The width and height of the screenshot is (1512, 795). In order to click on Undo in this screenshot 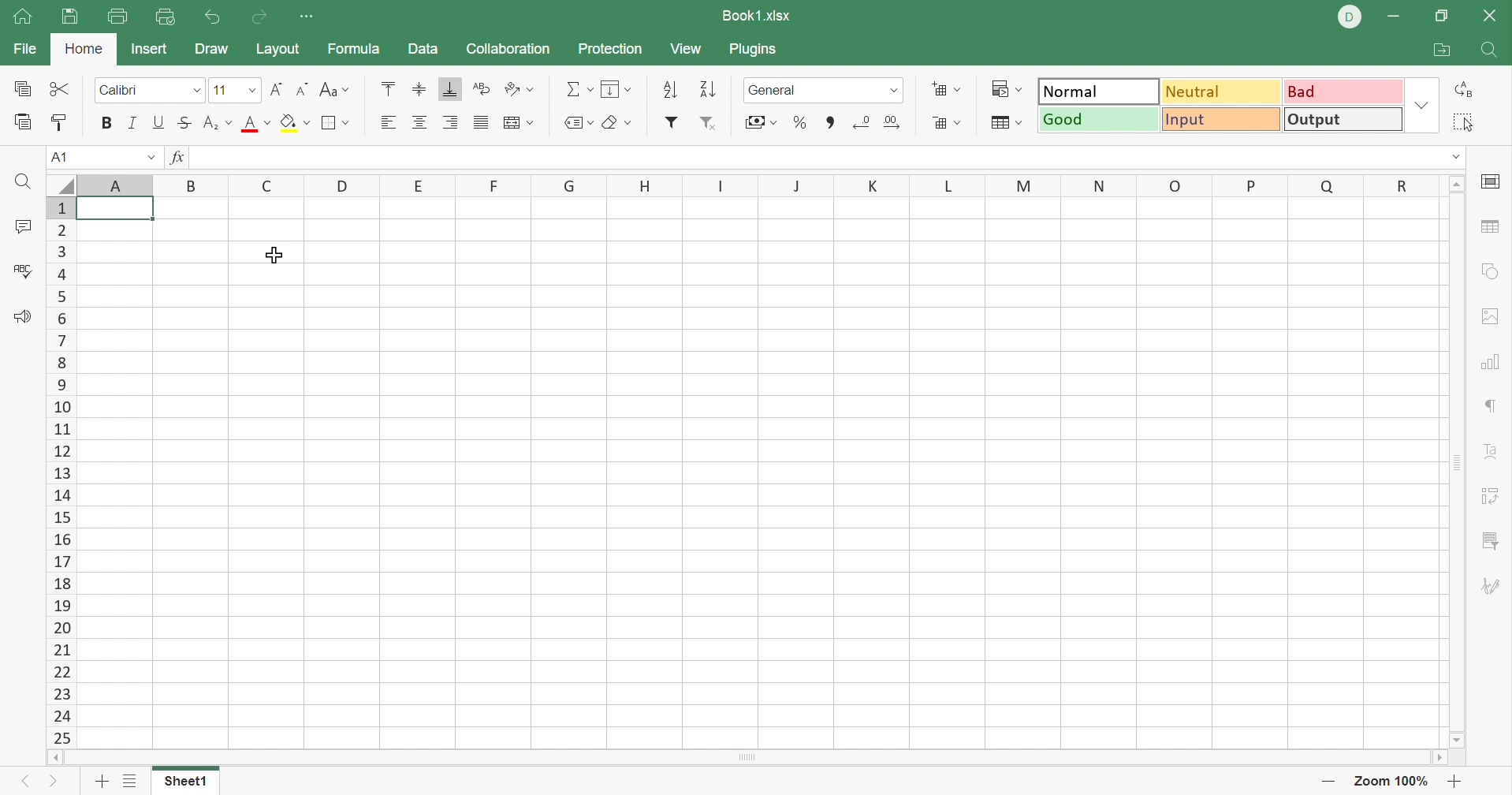, I will do `click(214, 17)`.